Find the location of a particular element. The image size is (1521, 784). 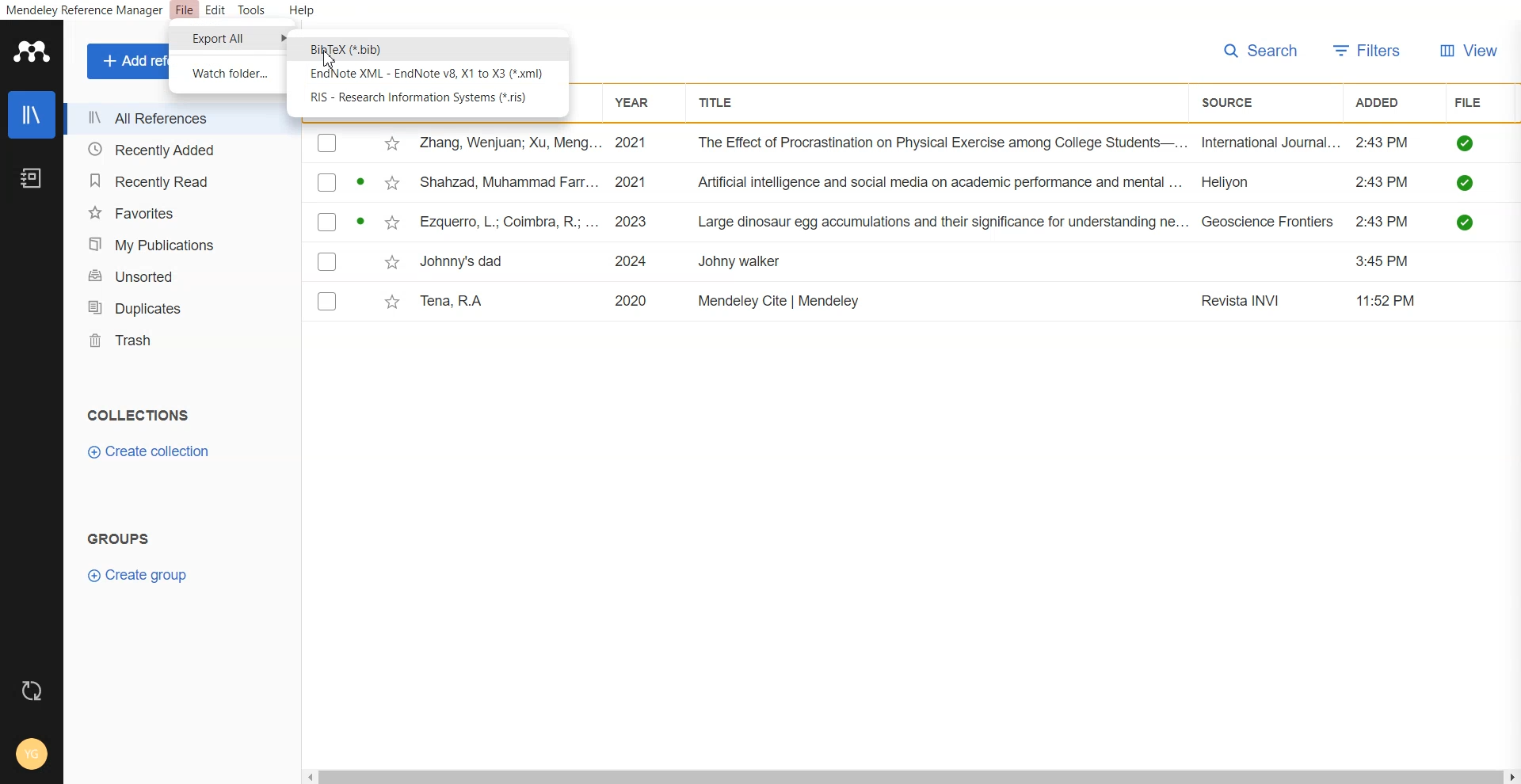

View is located at coordinates (1470, 52).